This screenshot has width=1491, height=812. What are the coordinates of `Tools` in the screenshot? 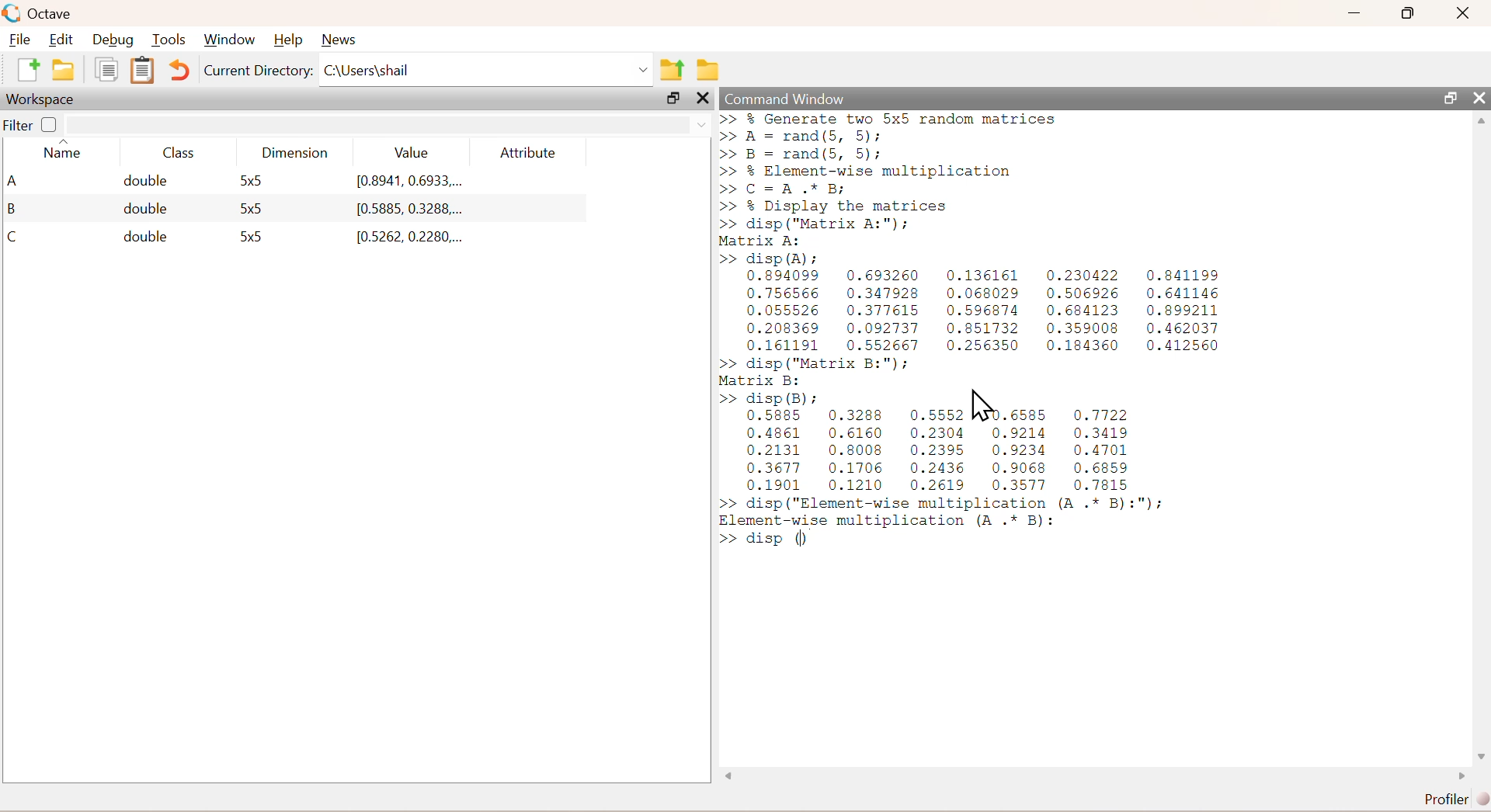 It's located at (171, 39).